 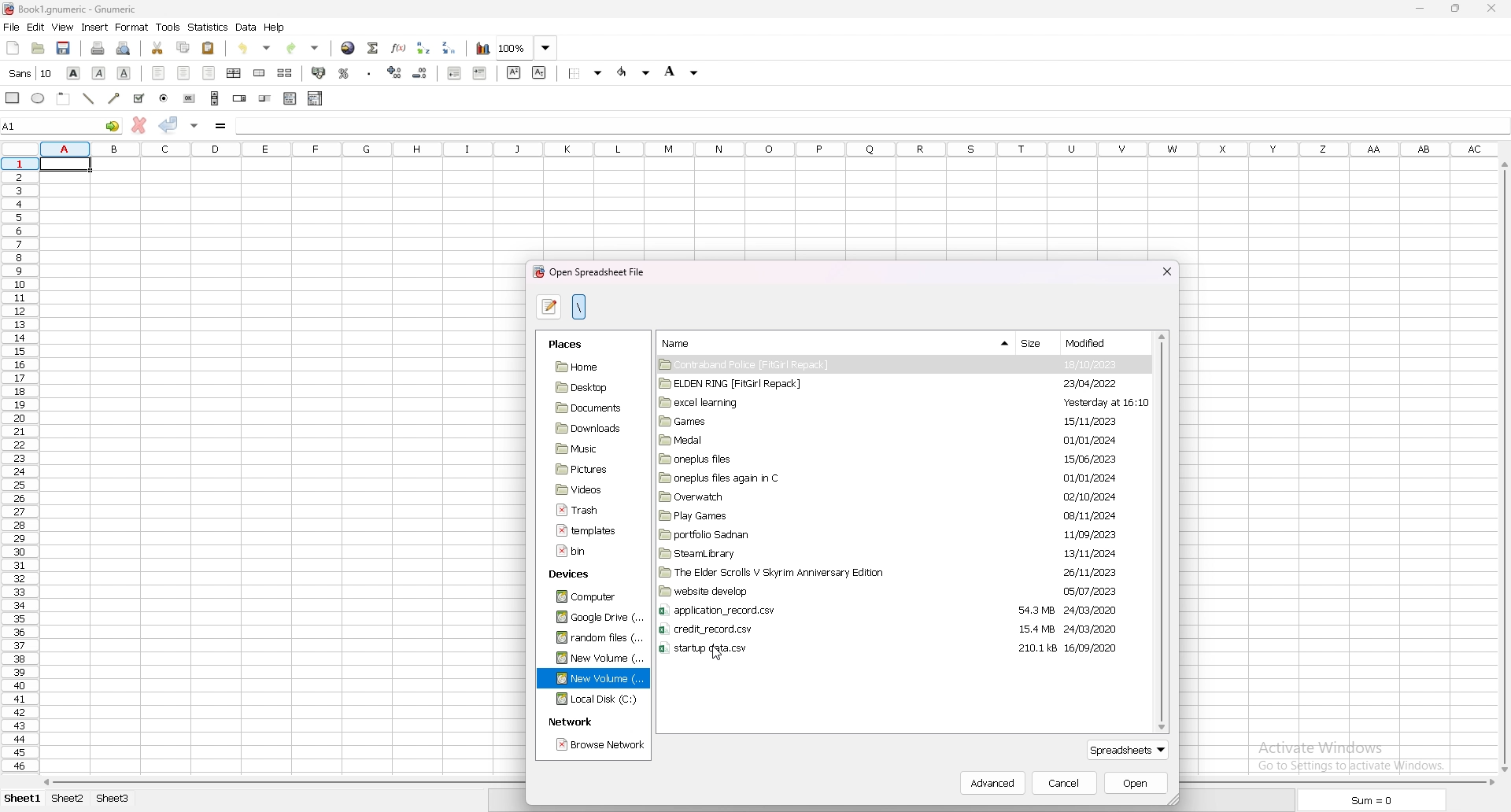 I want to click on 18/10/2023, so click(x=1083, y=364).